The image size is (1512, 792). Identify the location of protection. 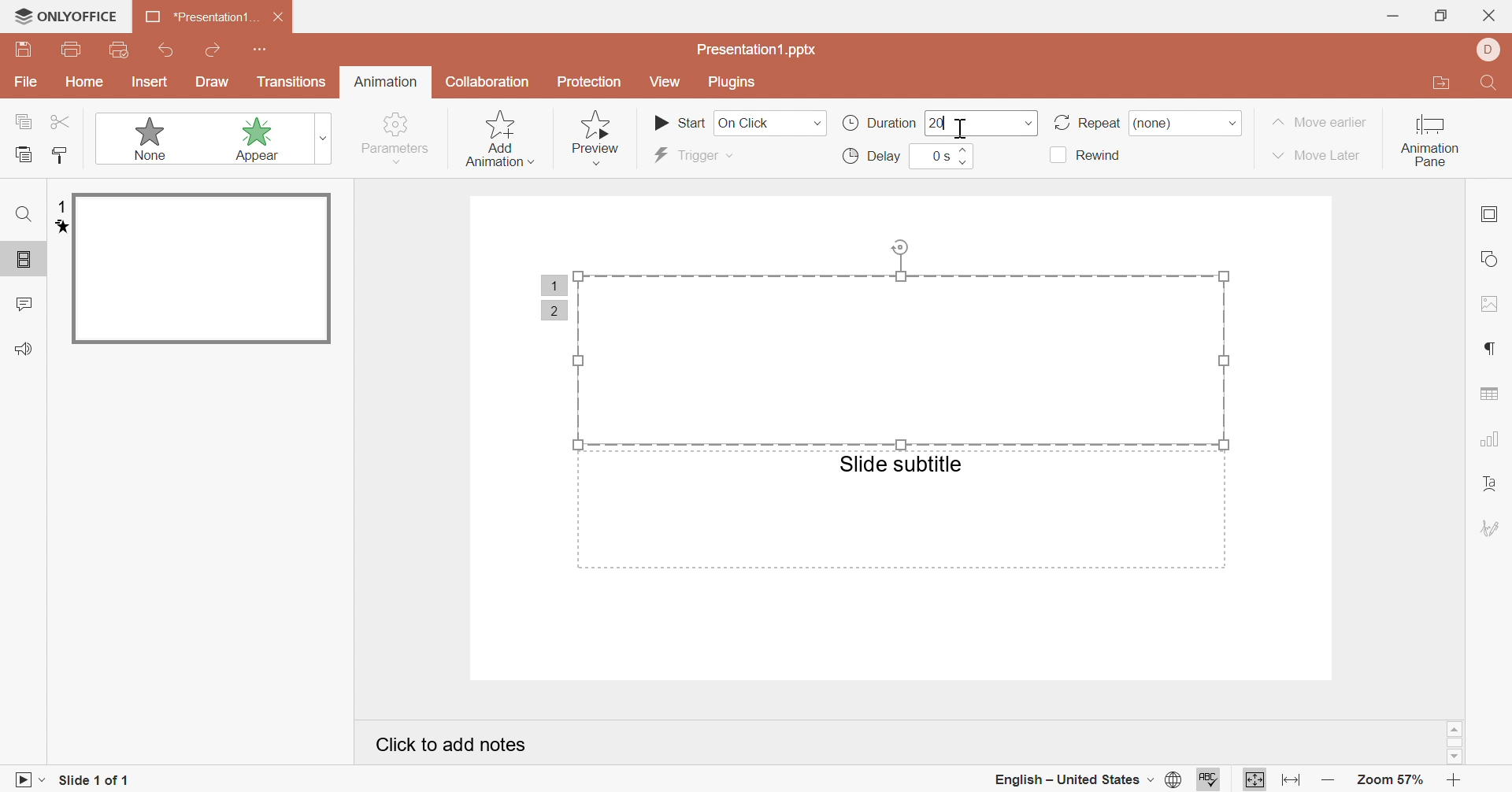
(588, 83).